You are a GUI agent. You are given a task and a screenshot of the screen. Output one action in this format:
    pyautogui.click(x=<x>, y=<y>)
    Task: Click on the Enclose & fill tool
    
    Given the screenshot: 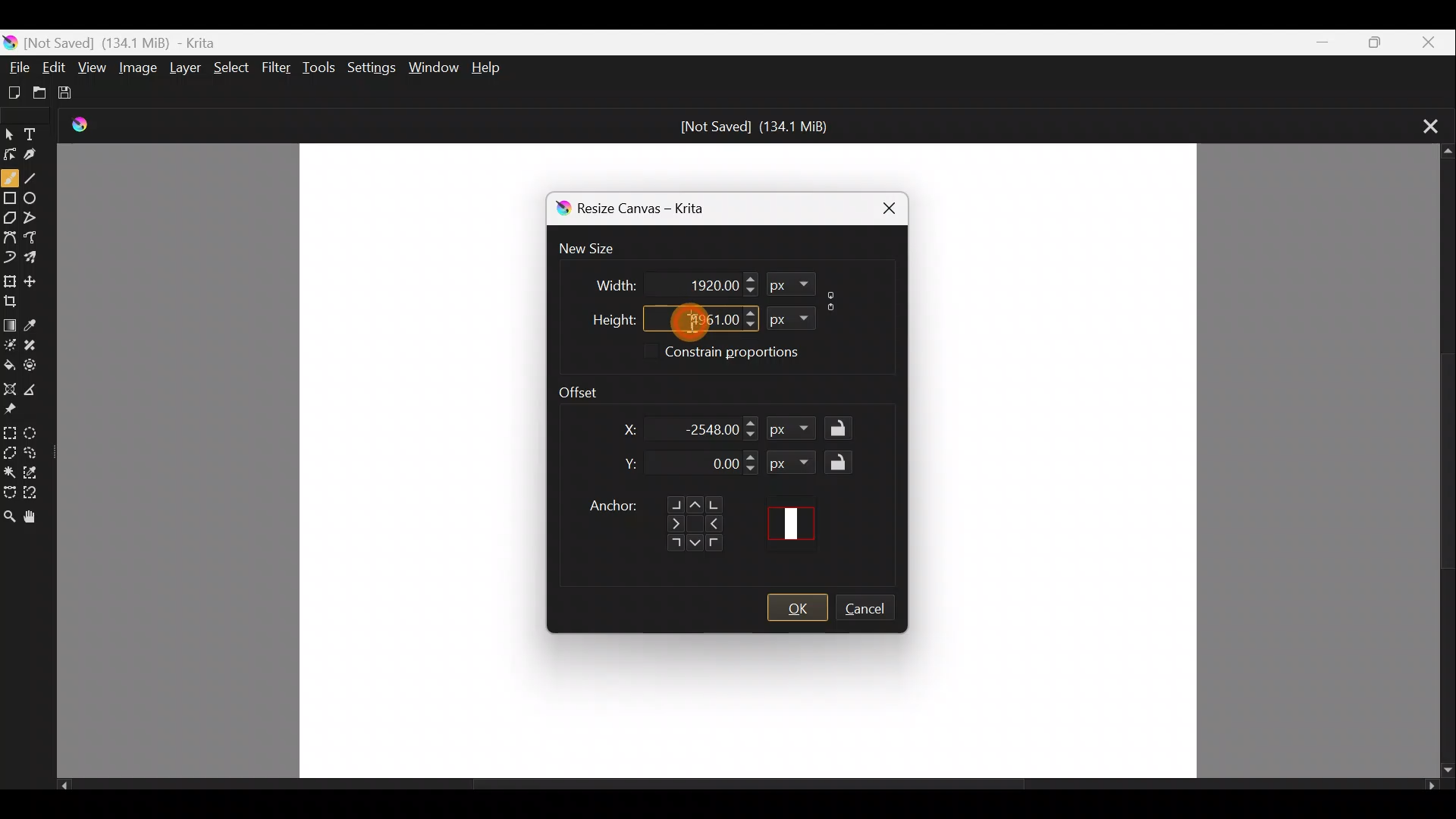 What is the action you would take?
    pyautogui.click(x=37, y=365)
    